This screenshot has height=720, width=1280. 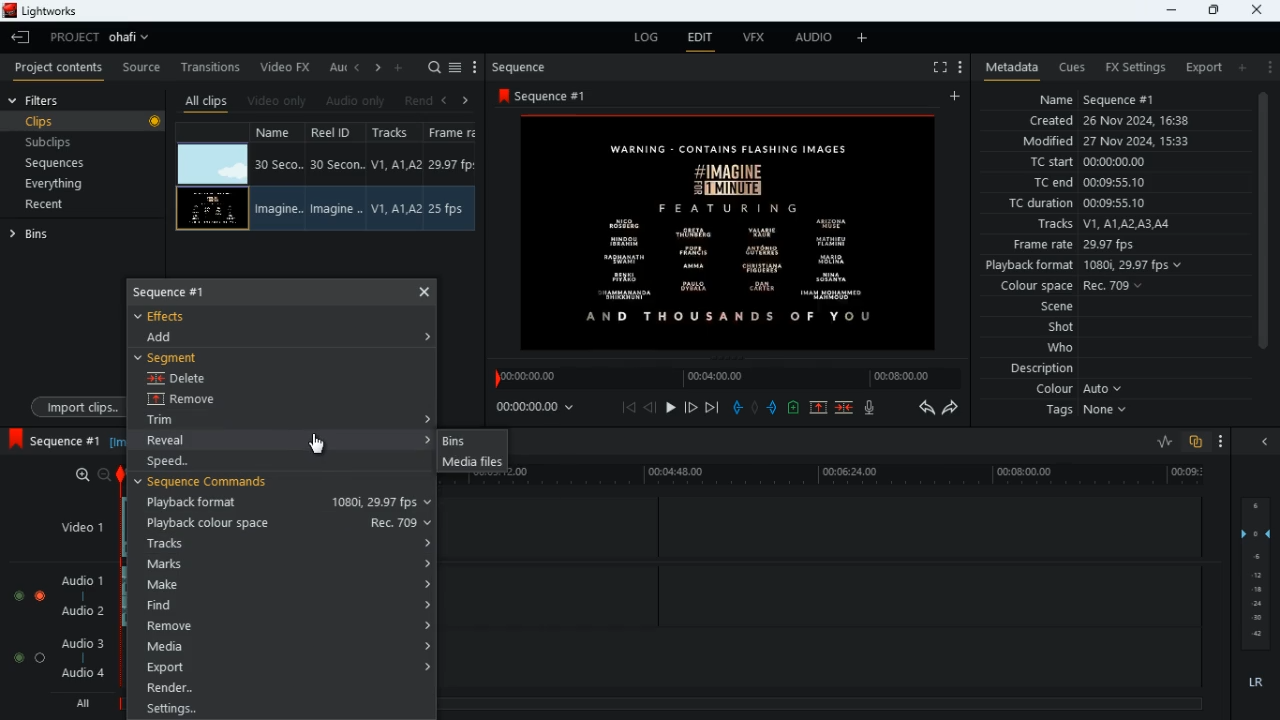 What do you see at coordinates (87, 704) in the screenshot?
I see `all` at bounding box center [87, 704].